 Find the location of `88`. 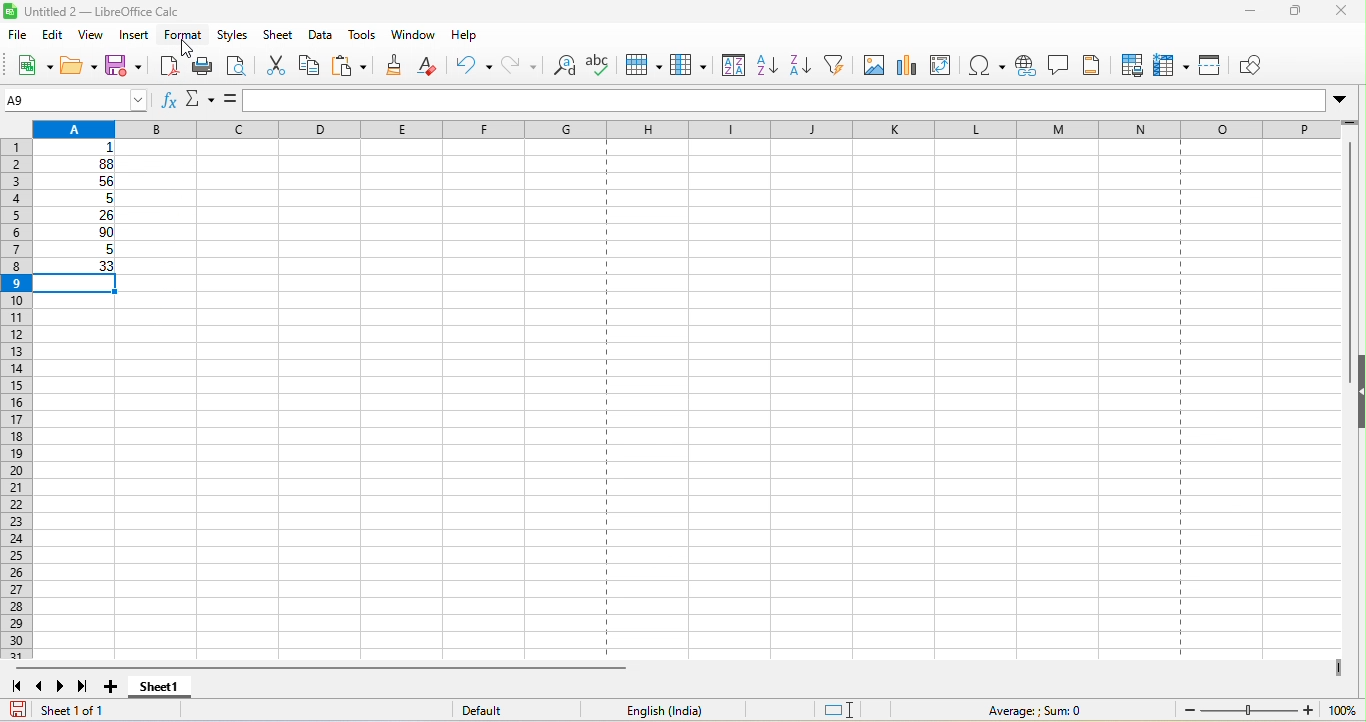

88 is located at coordinates (77, 164).